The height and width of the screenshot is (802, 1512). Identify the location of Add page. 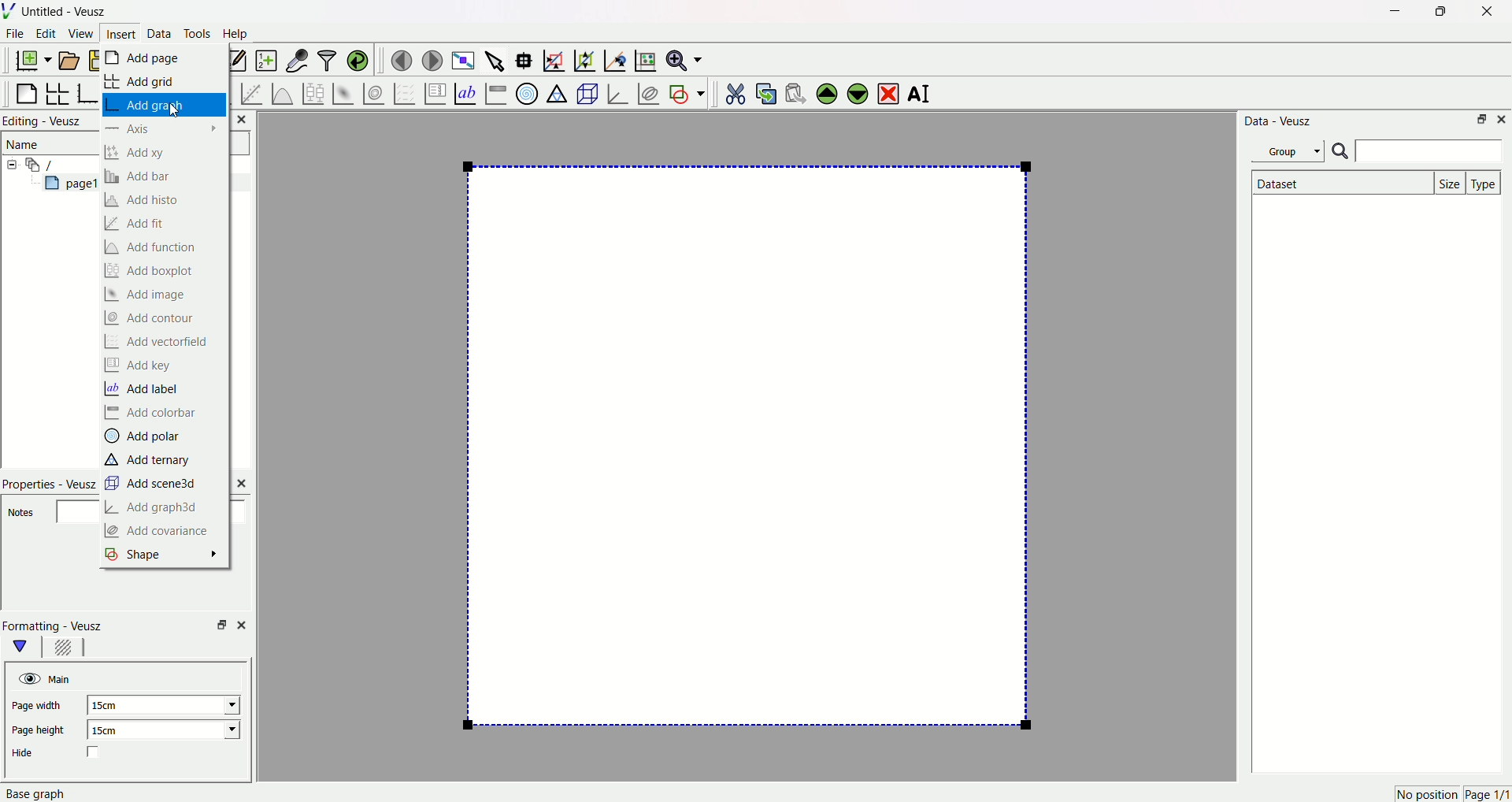
(161, 58).